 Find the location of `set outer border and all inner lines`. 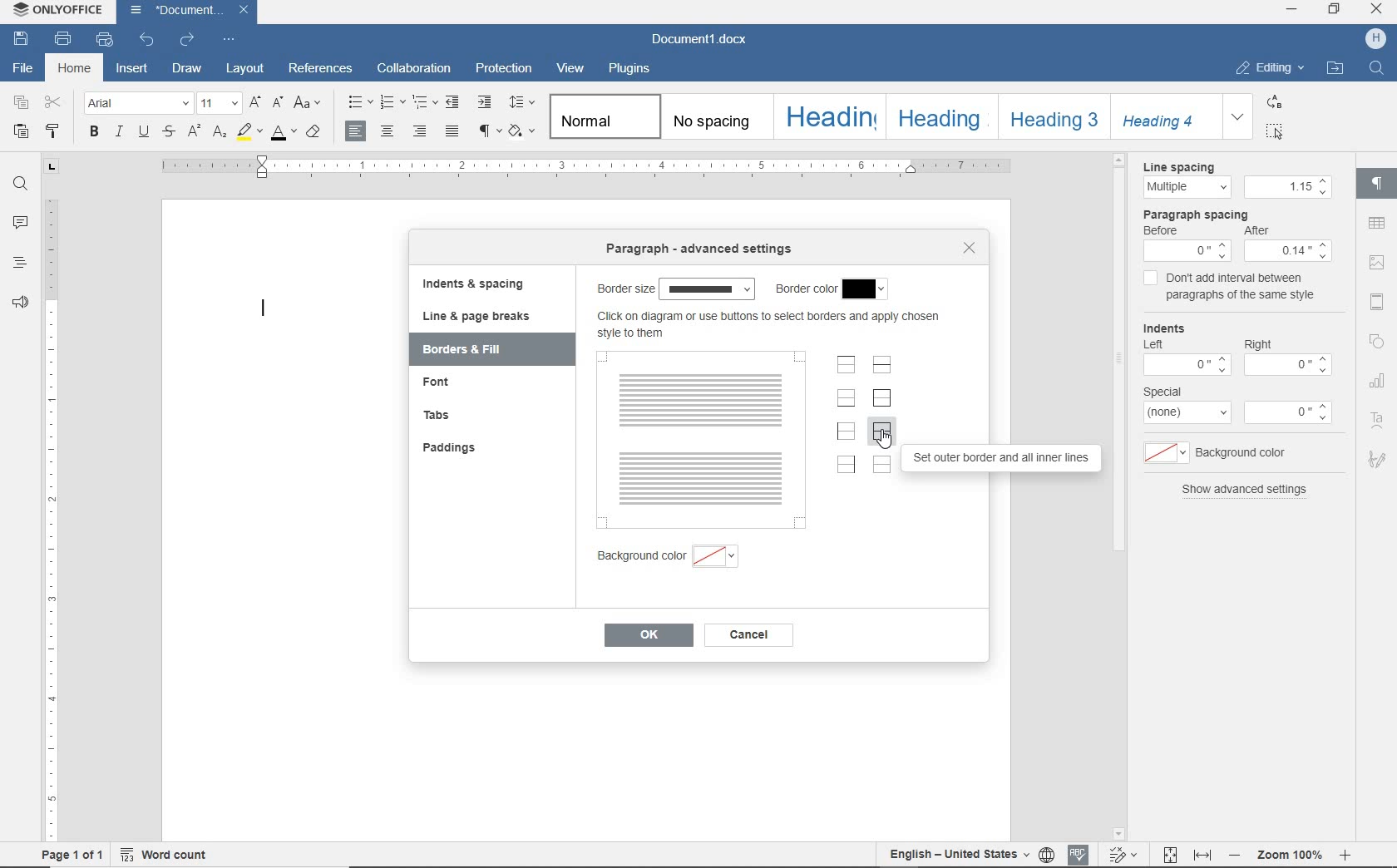

set outer border and all inner lines is located at coordinates (884, 433).